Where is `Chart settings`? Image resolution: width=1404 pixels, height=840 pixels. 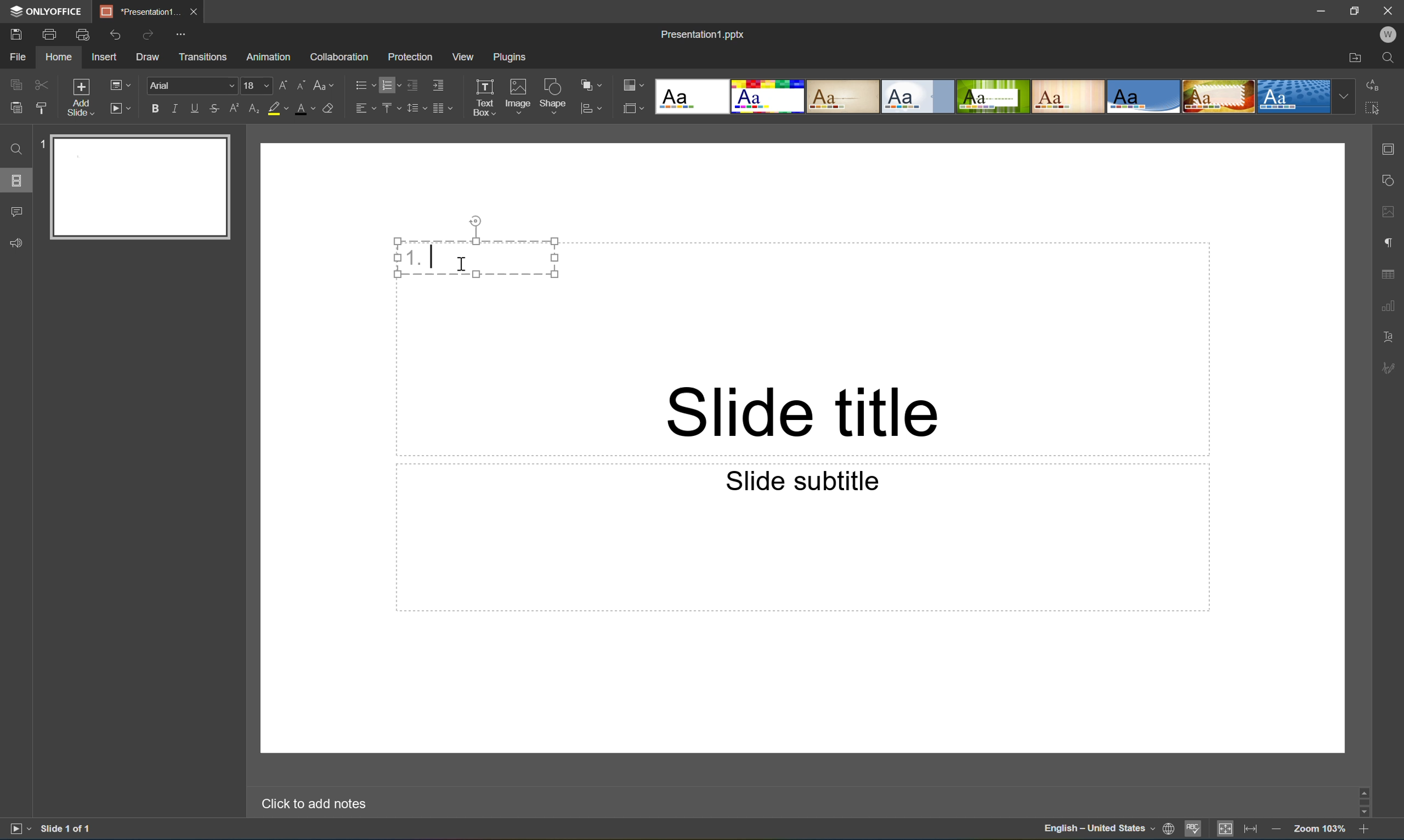 Chart settings is located at coordinates (1390, 306).